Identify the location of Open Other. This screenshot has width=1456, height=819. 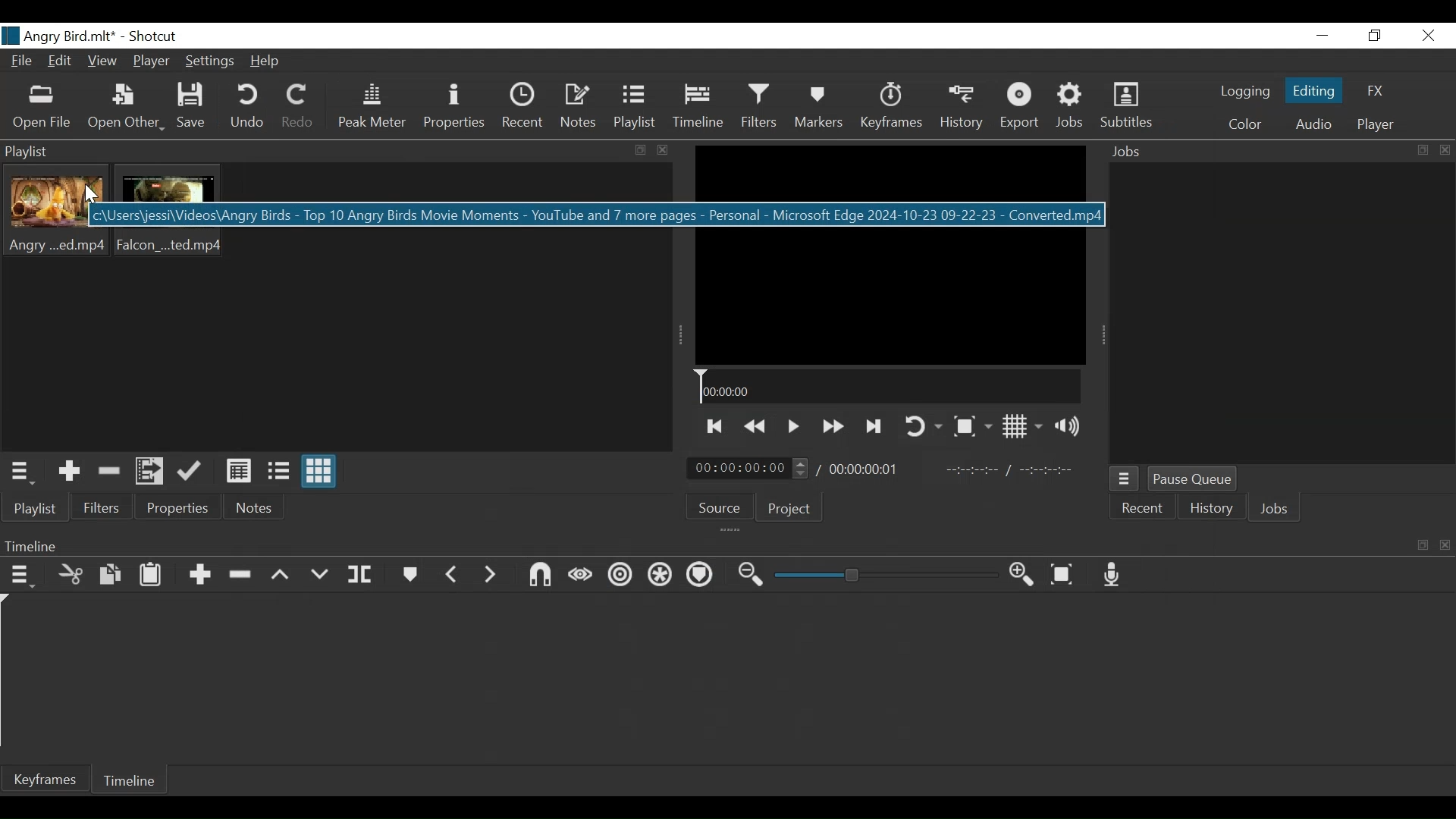
(125, 109).